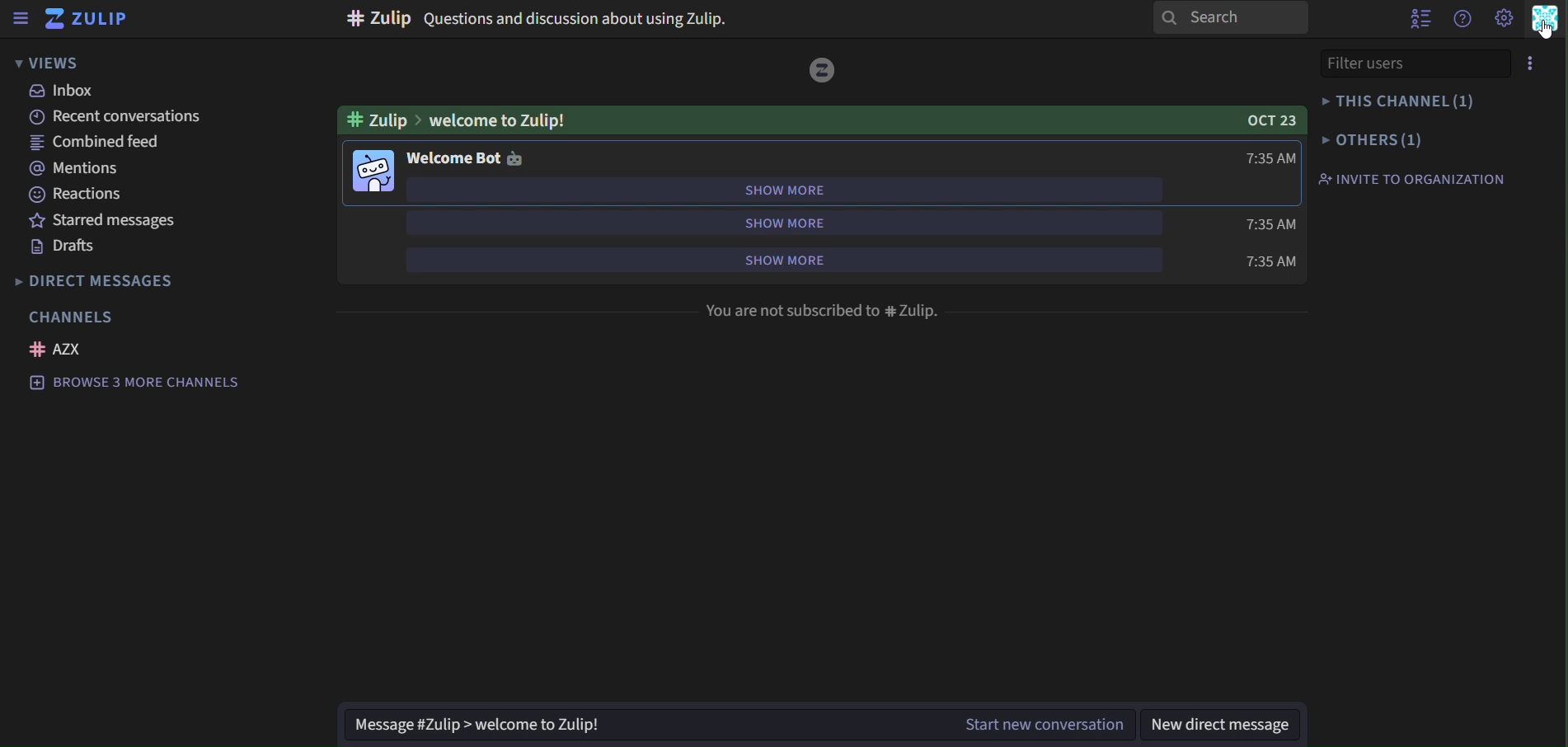  What do you see at coordinates (1269, 261) in the screenshot?
I see `time` at bounding box center [1269, 261].